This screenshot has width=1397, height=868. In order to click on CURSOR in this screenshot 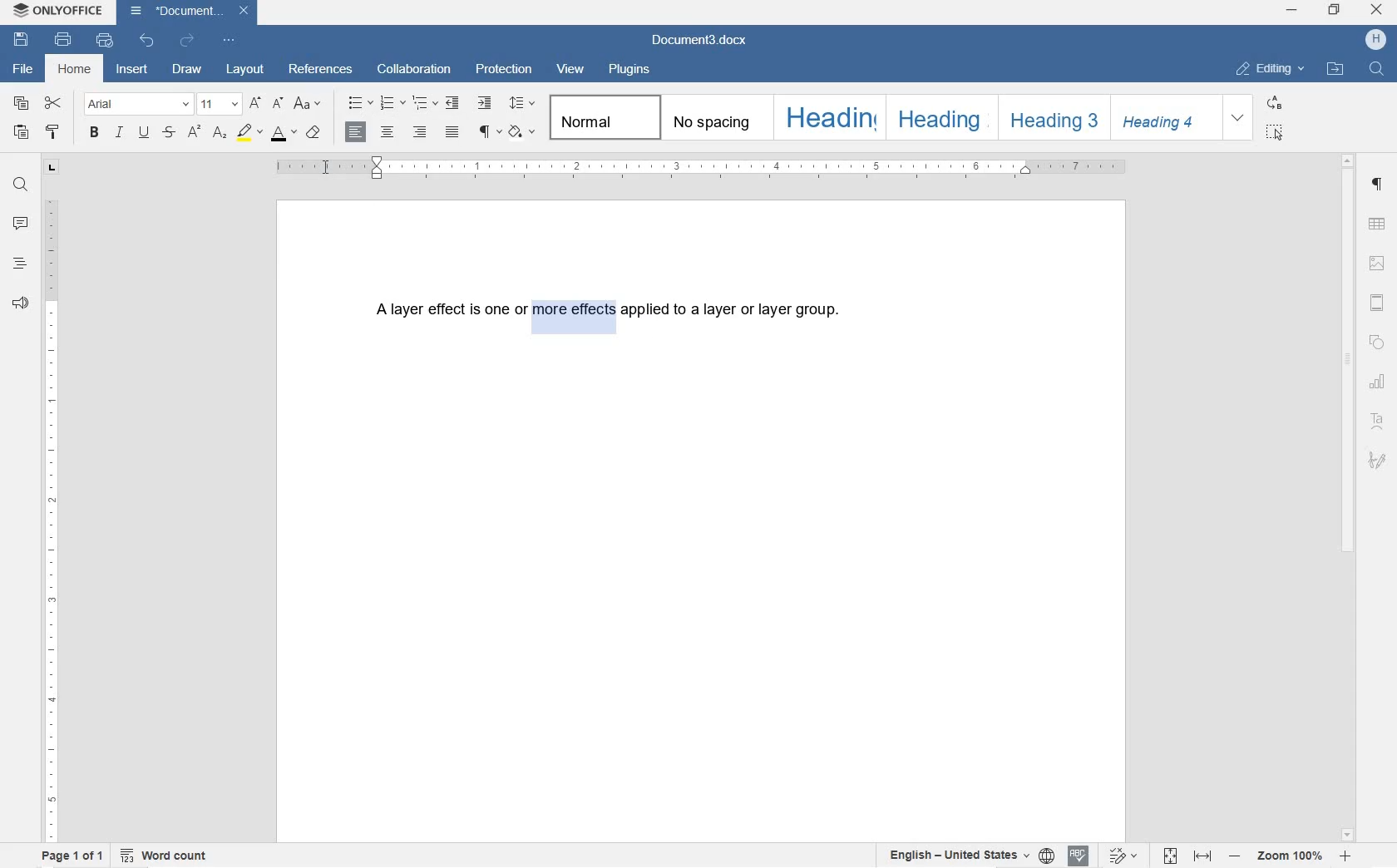, I will do `click(327, 169)`.